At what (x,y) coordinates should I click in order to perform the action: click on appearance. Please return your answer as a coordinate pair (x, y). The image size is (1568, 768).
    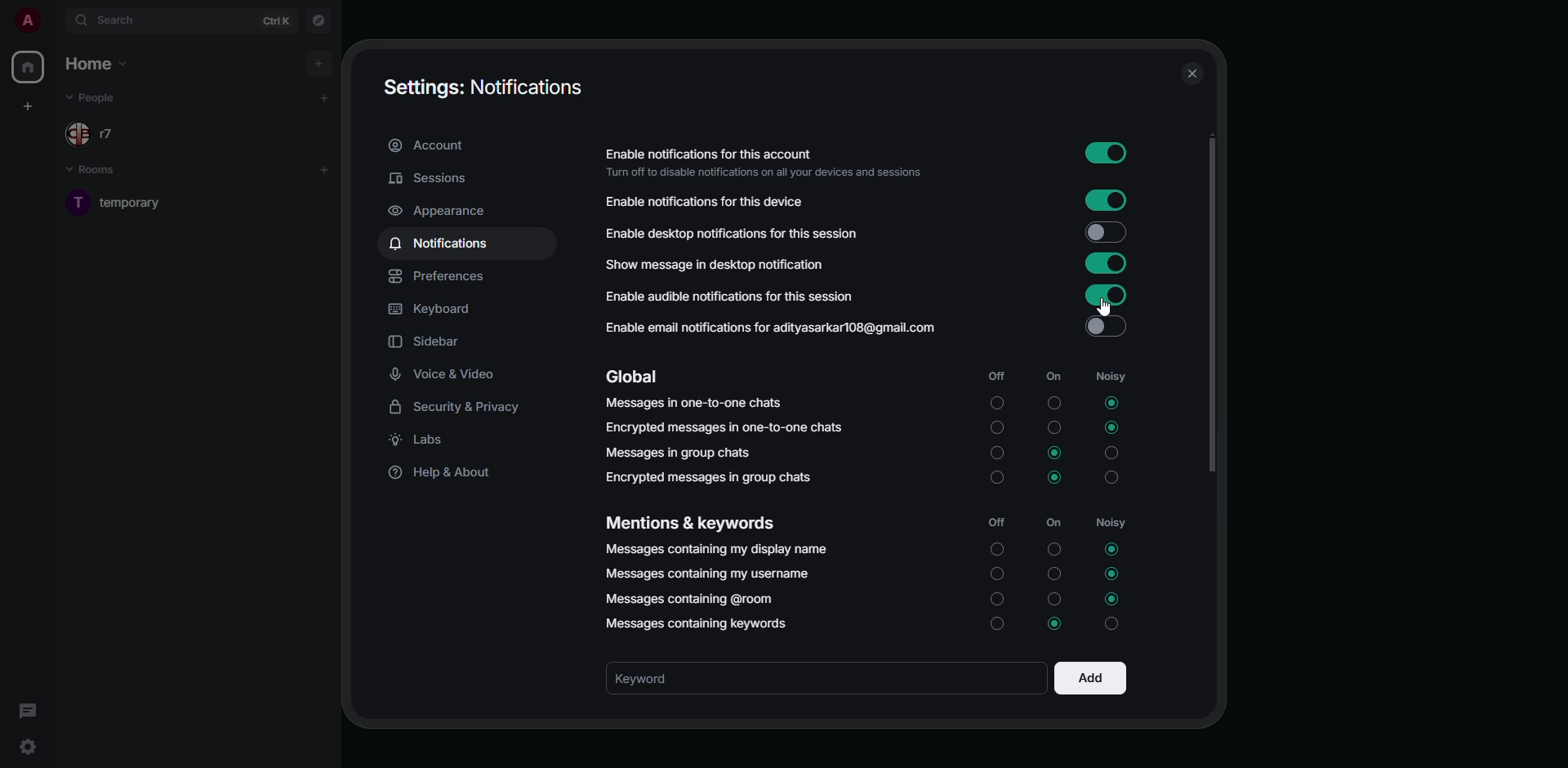
    Looking at the image, I should click on (442, 211).